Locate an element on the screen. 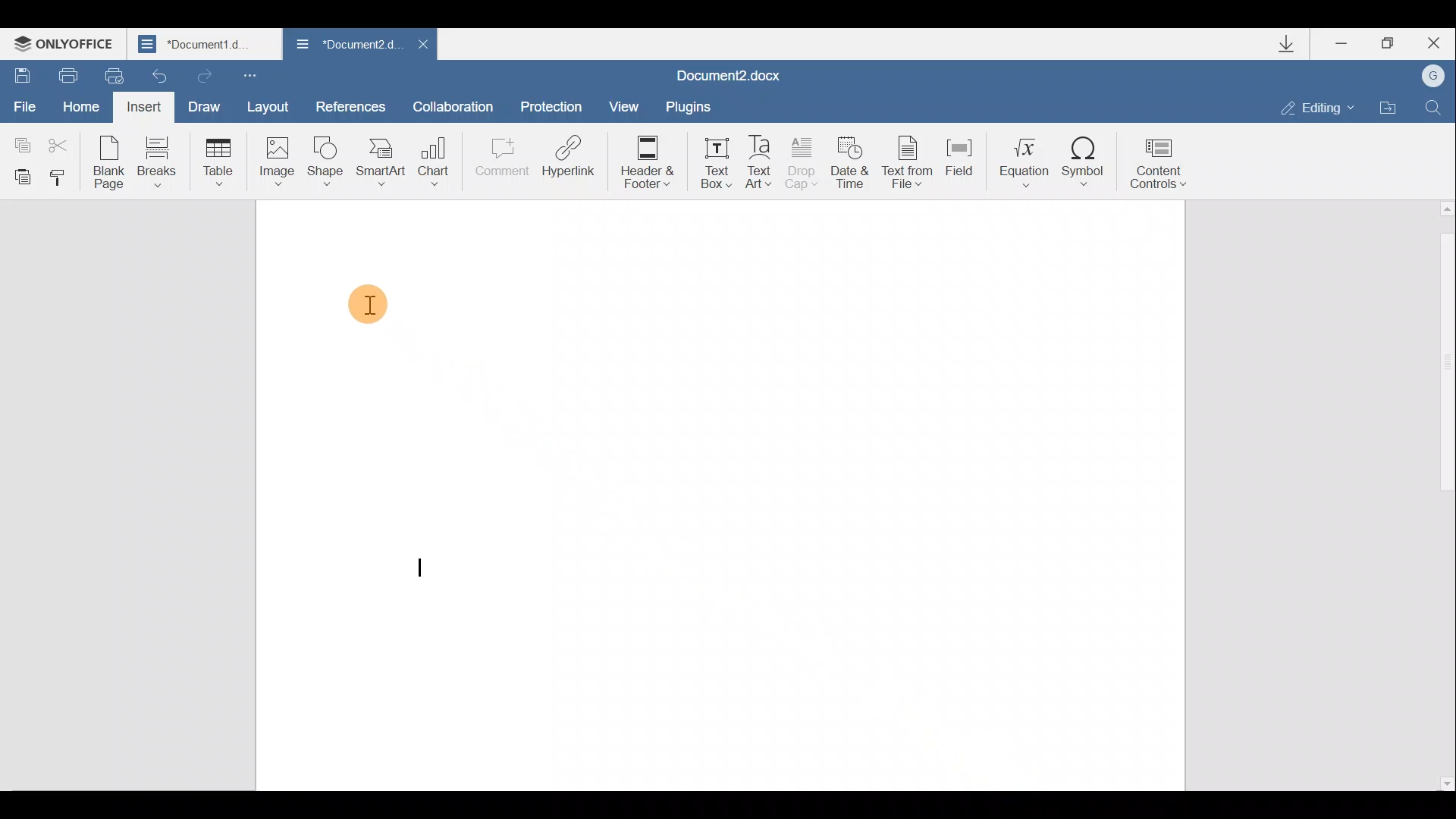  Layout is located at coordinates (276, 109).